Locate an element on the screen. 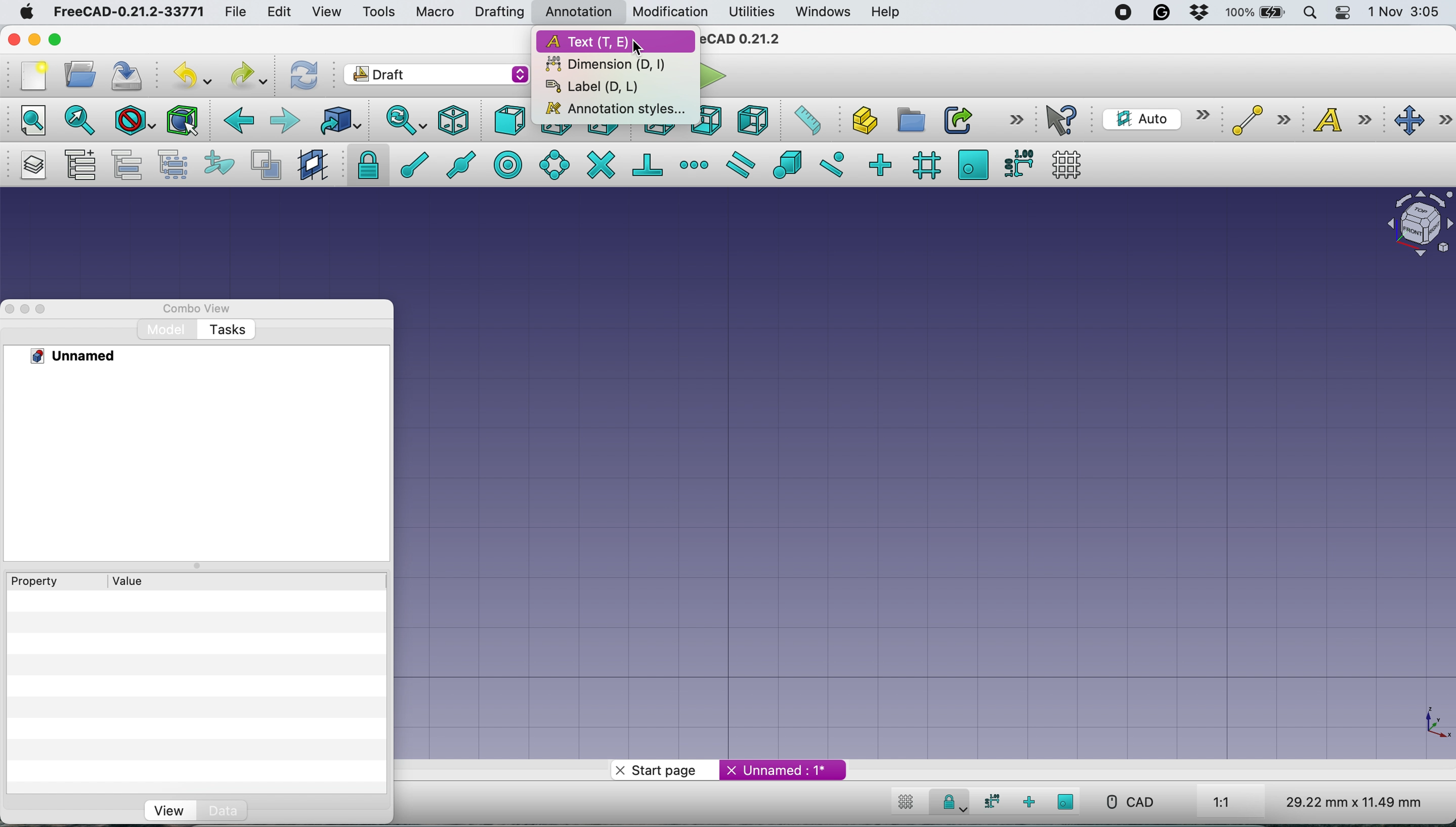 This screenshot has width=1456, height=827. unnamed is located at coordinates (781, 770).